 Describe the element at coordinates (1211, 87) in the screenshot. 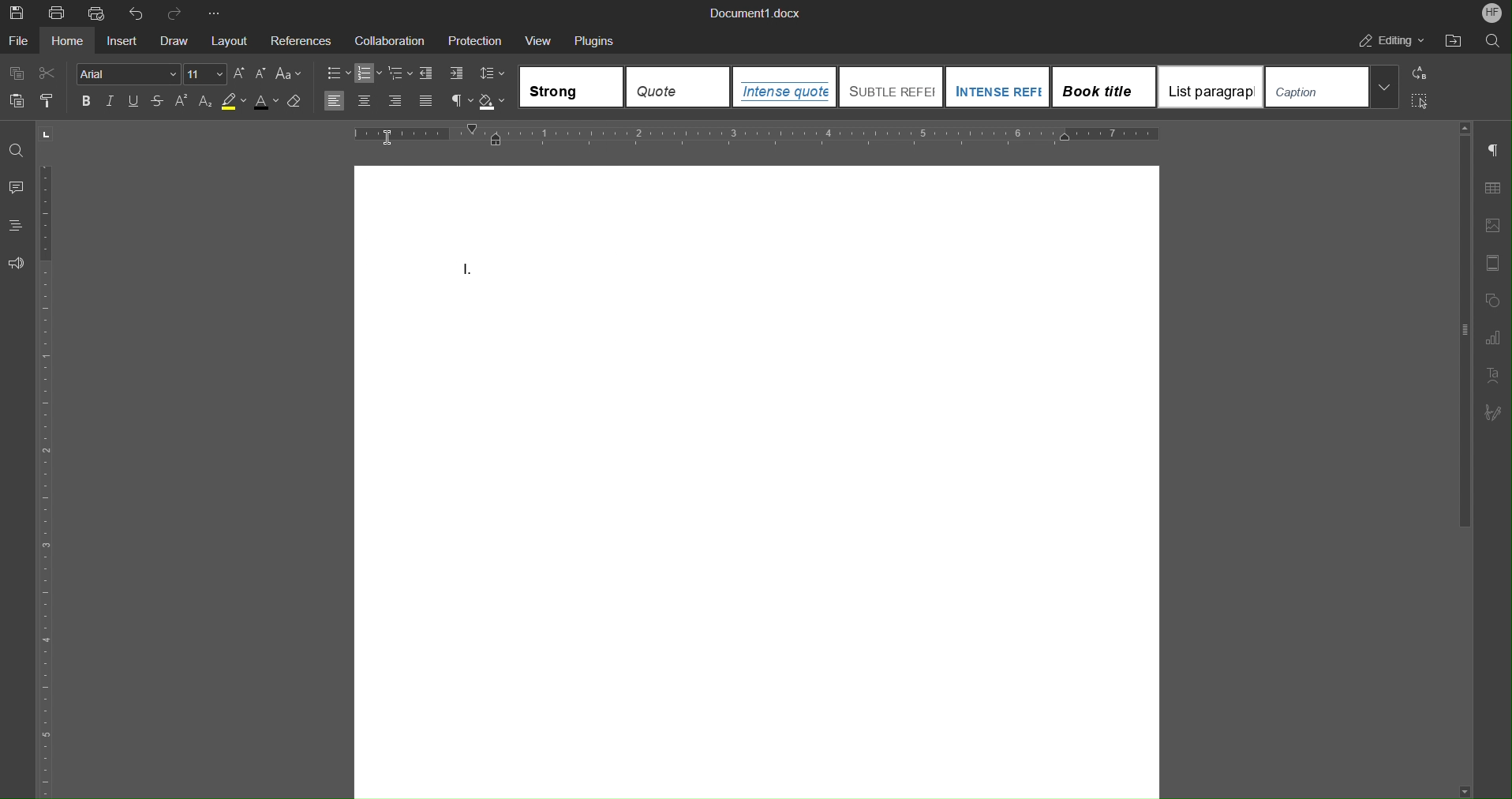

I see `Heading 5` at that location.